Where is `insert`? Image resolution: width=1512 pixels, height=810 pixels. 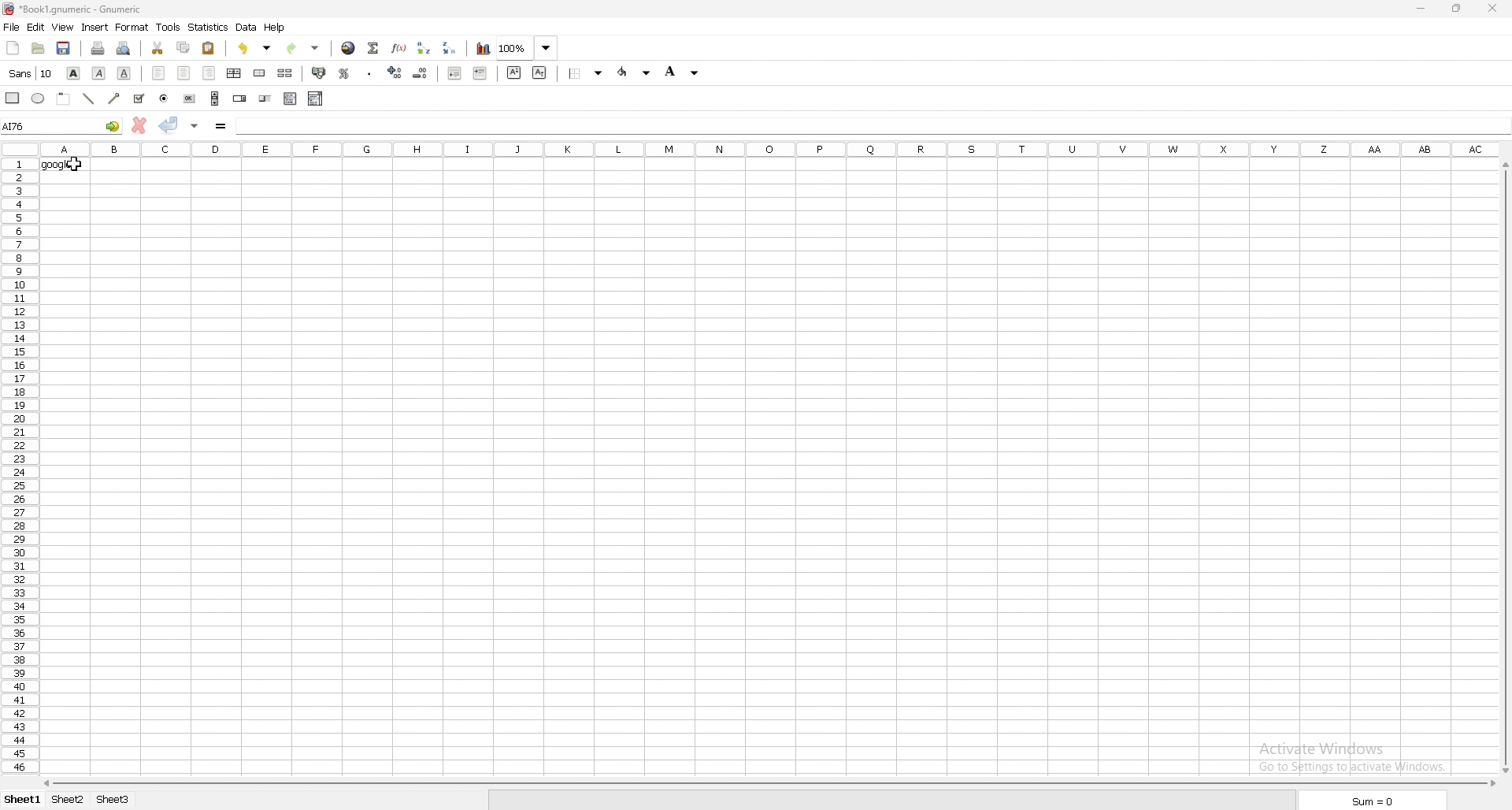 insert is located at coordinates (94, 28).